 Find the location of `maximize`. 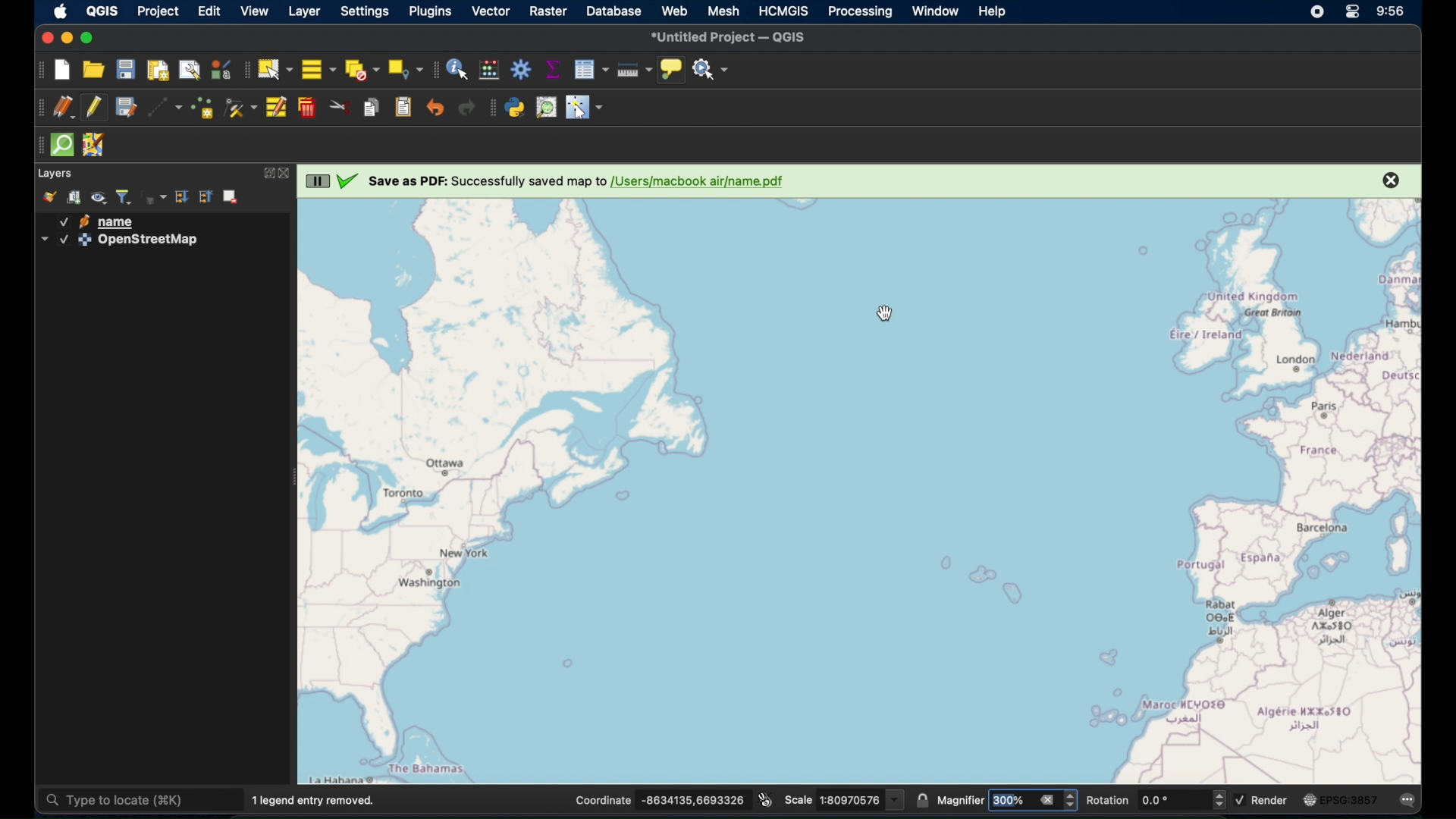

maximize is located at coordinates (90, 39).